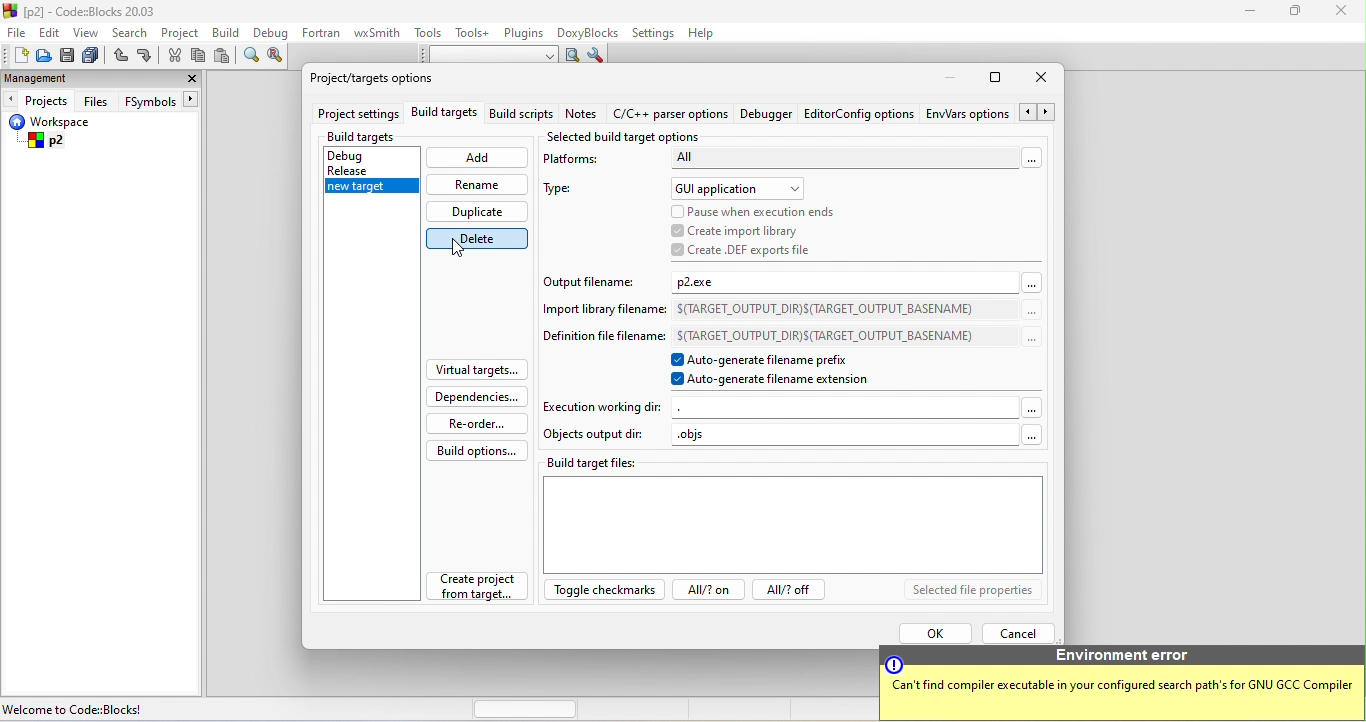 The width and height of the screenshot is (1366, 722). What do you see at coordinates (572, 55) in the screenshot?
I see `run search` at bounding box center [572, 55].